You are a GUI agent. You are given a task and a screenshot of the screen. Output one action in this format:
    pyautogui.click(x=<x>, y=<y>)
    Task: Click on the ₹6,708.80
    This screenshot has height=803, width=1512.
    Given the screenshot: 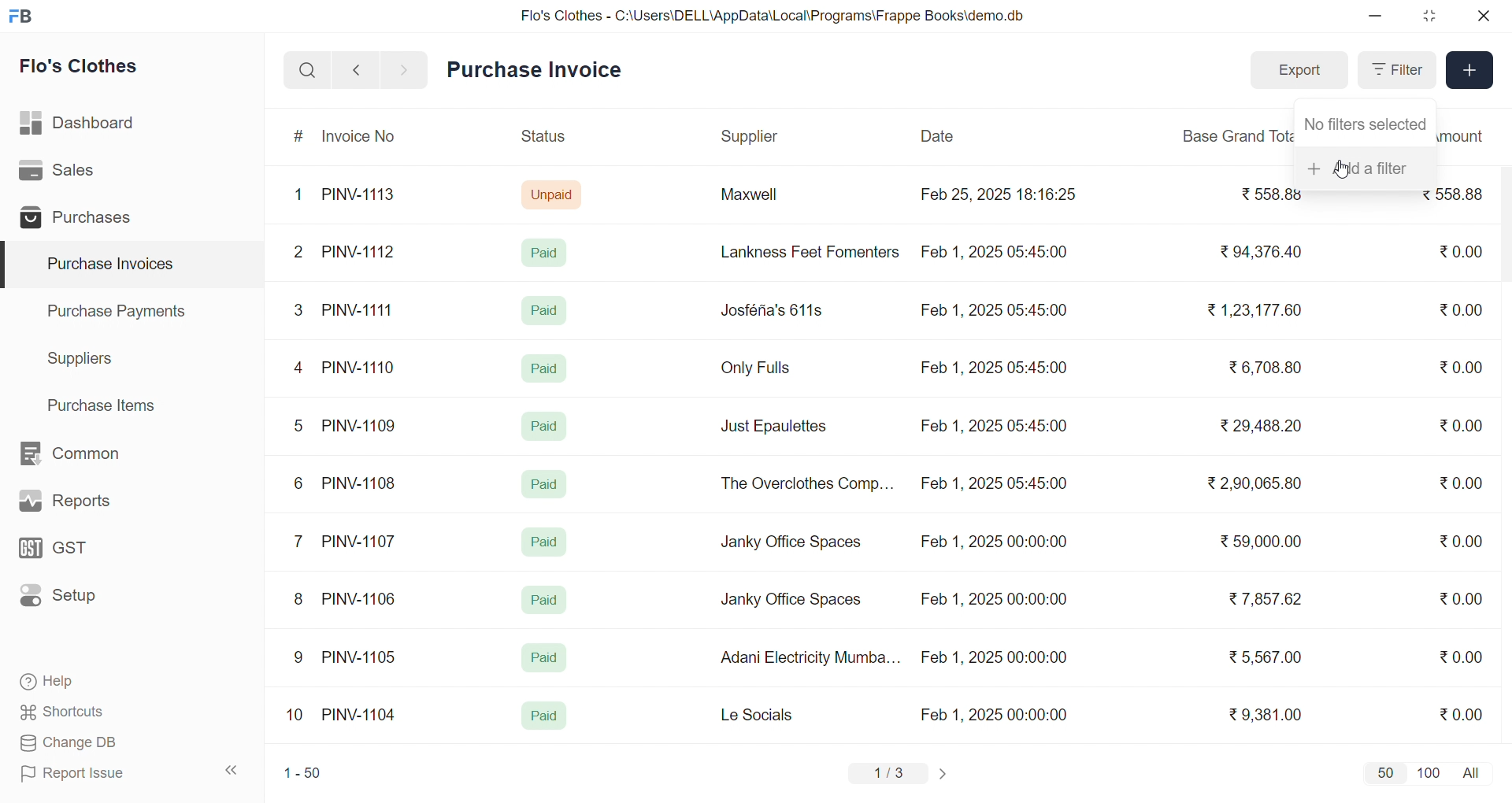 What is the action you would take?
    pyautogui.click(x=1265, y=364)
    